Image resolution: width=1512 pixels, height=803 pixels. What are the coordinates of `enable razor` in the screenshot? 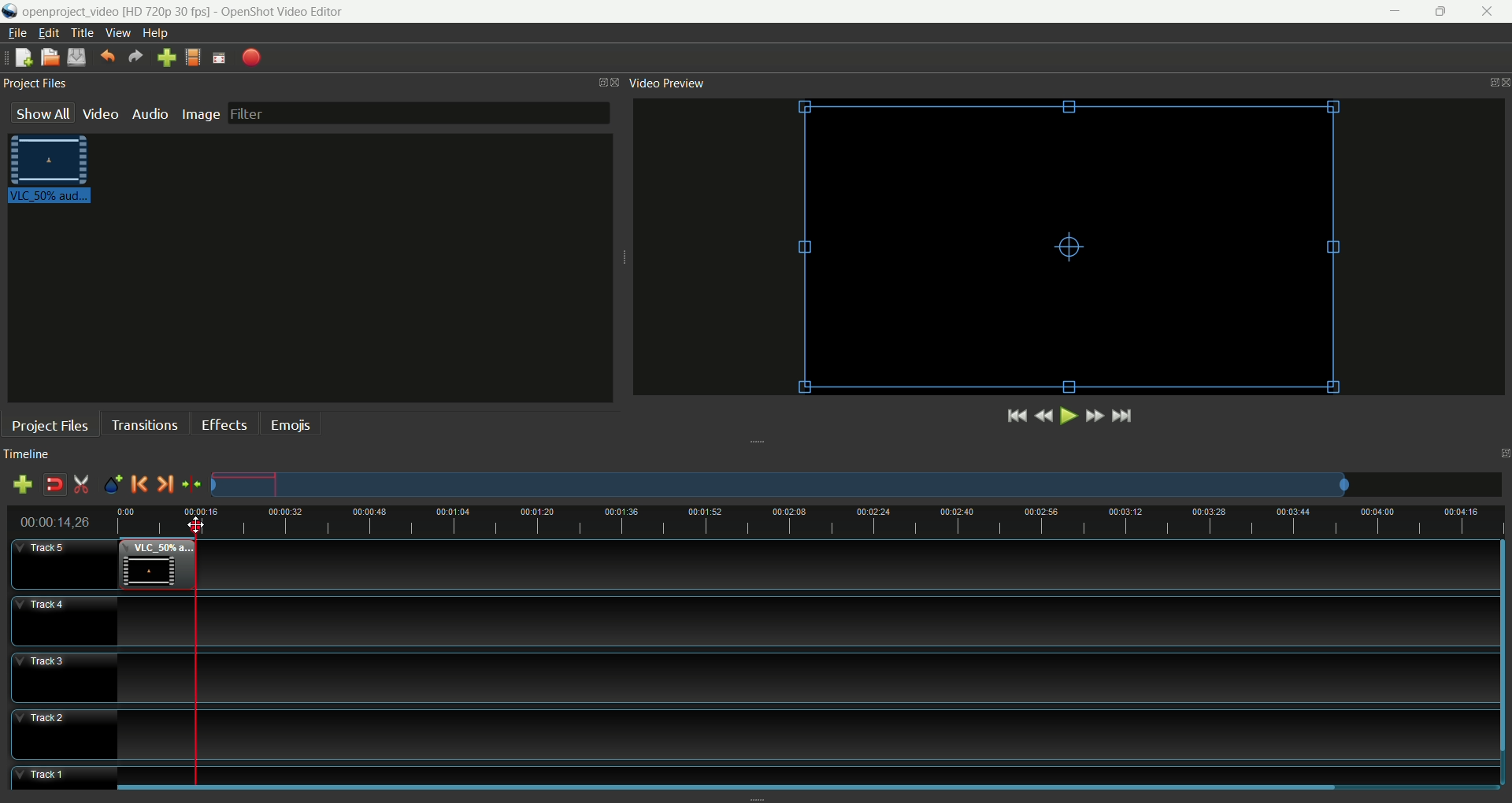 It's located at (82, 485).